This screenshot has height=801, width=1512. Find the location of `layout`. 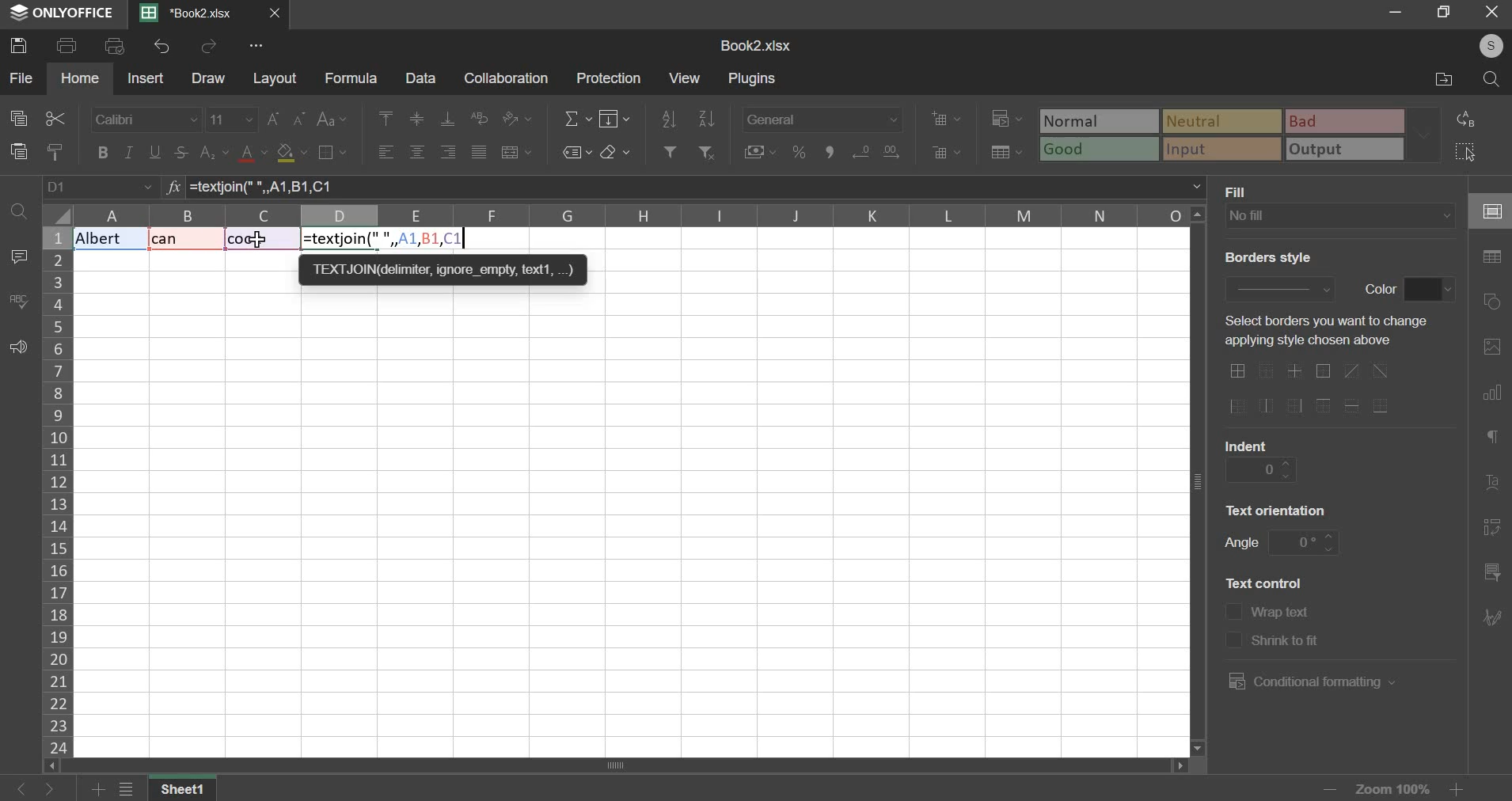

layout is located at coordinates (275, 79).